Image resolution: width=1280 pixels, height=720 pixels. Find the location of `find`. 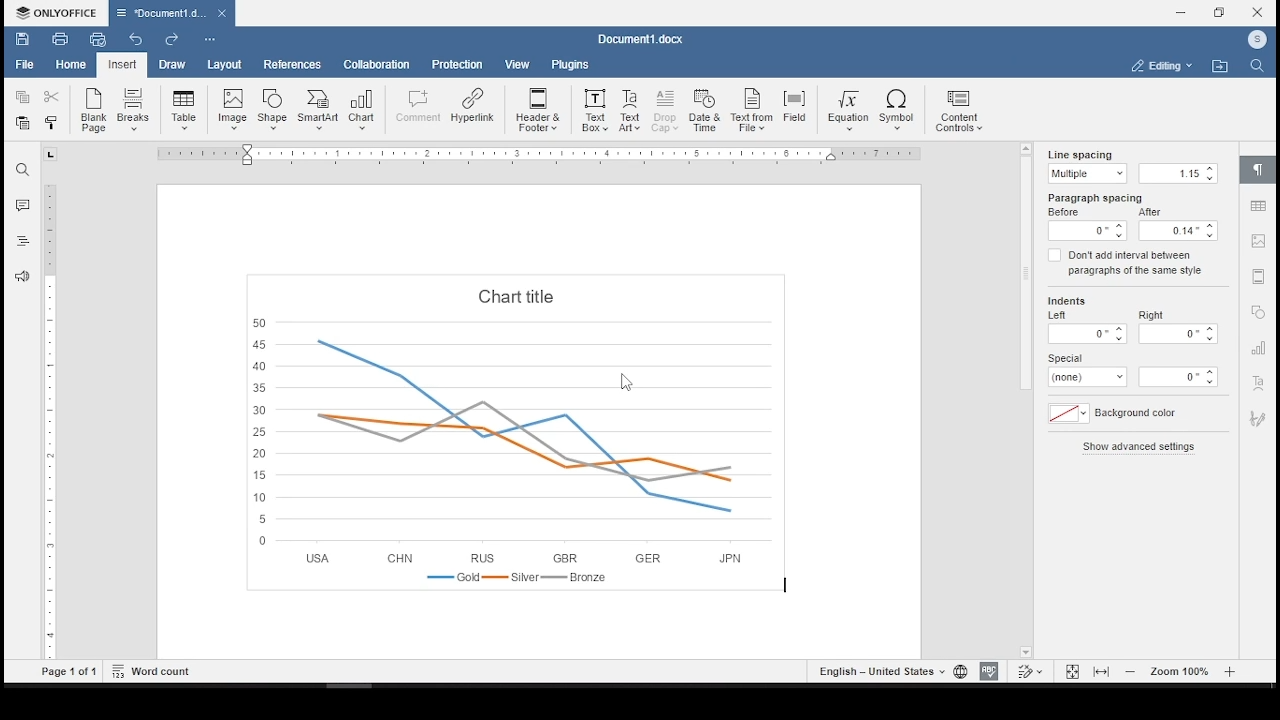

find is located at coordinates (22, 168).